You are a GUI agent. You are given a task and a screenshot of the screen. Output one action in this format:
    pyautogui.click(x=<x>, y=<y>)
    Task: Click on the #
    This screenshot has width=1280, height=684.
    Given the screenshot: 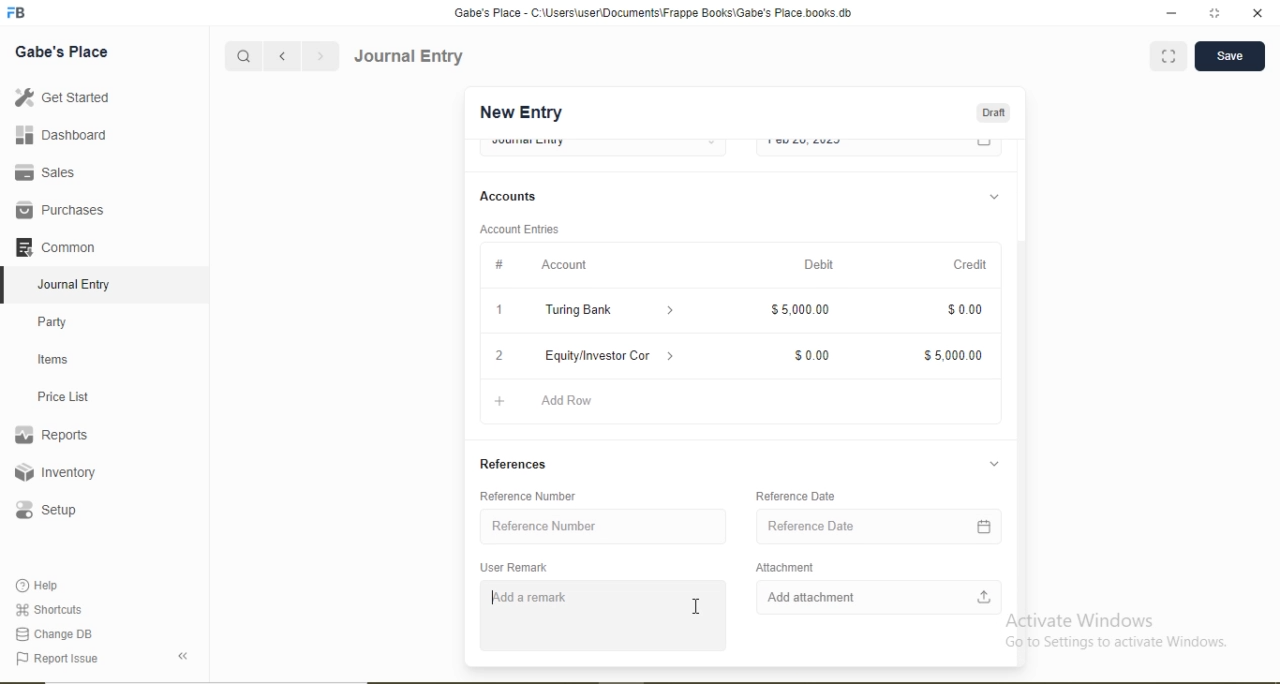 What is the action you would take?
    pyautogui.click(x=499, y=266)
    